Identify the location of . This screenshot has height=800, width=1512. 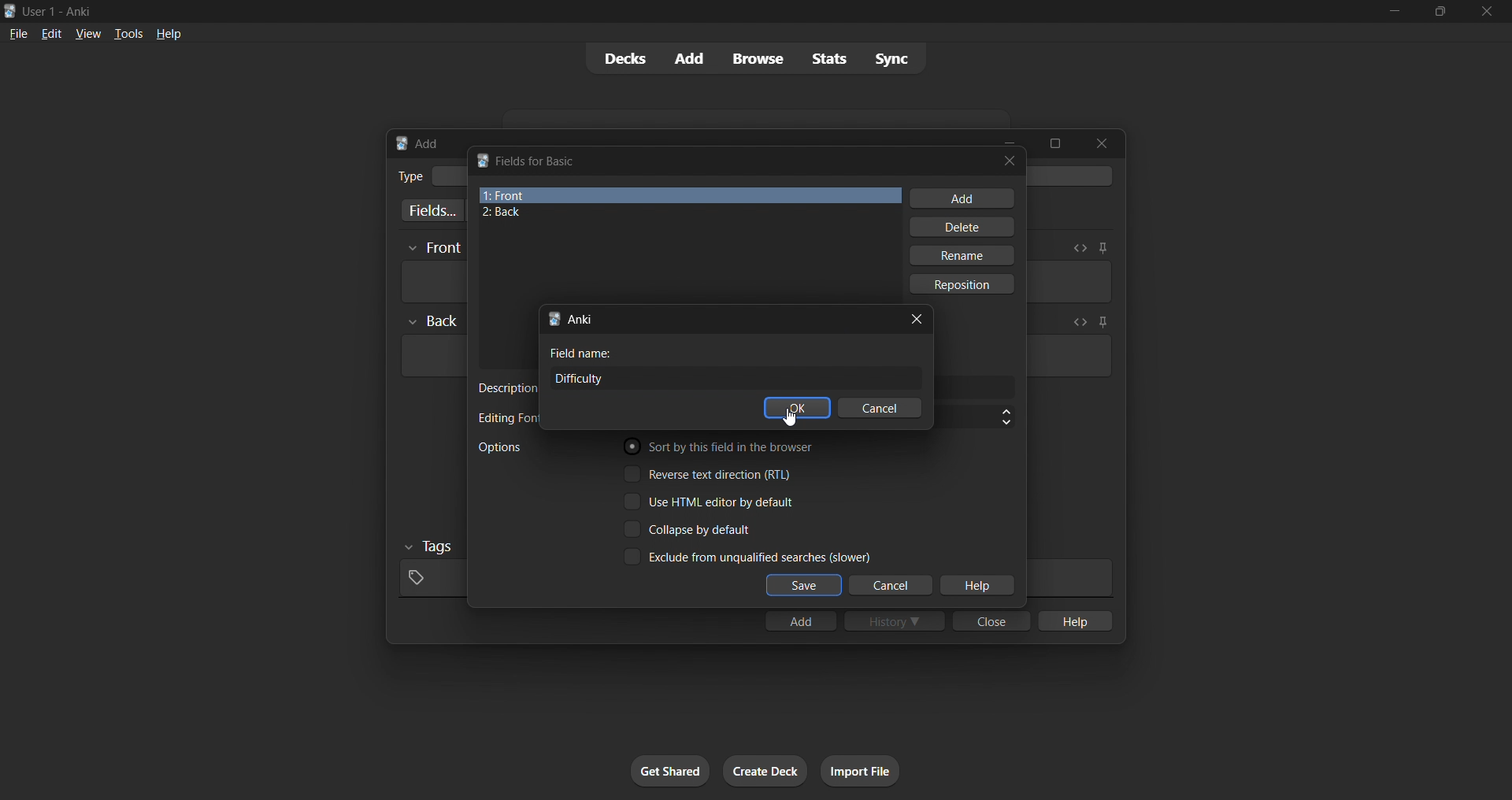
(434, 249).